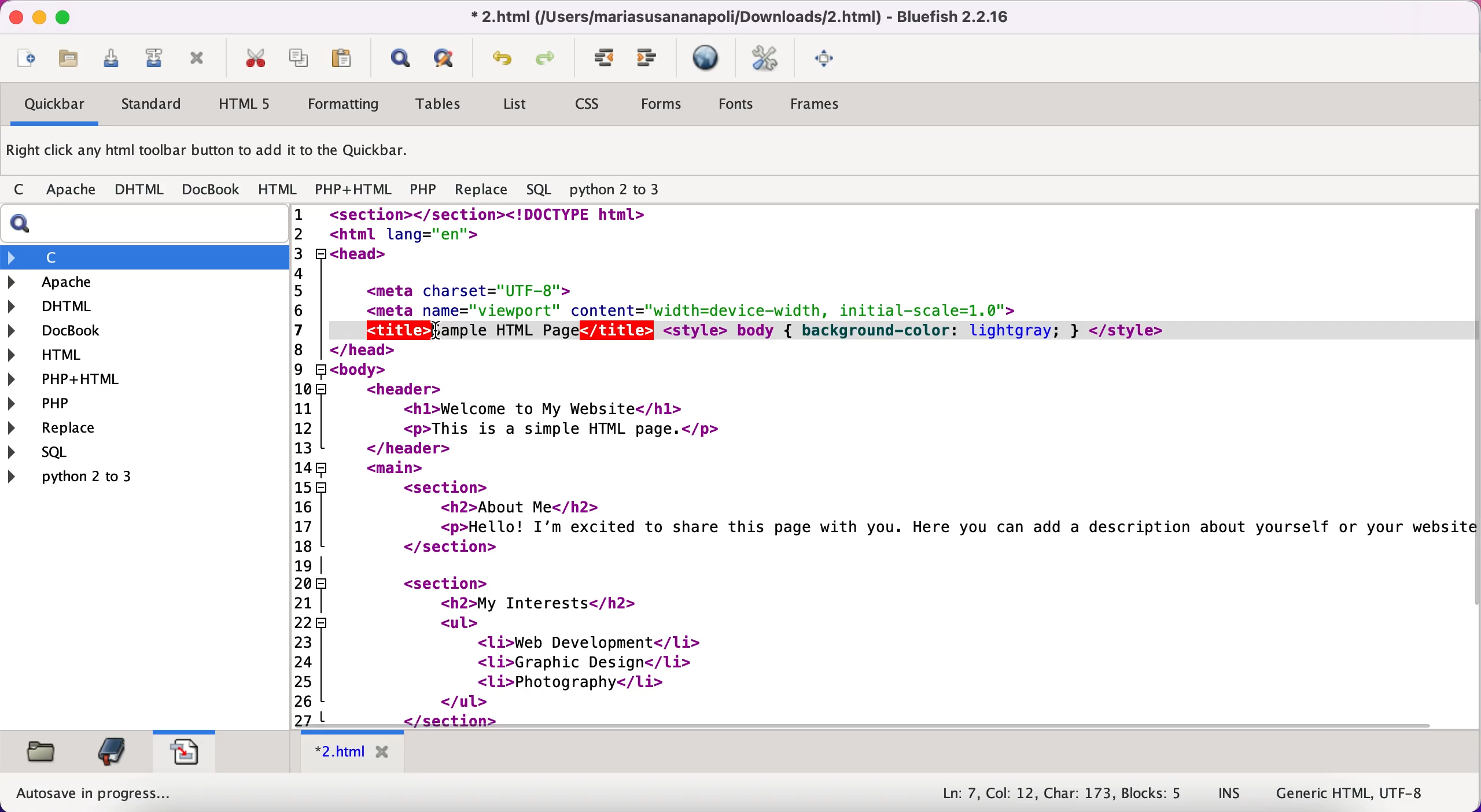 This screenshot has height=812, width=1481. I want to click on python 2 to 3, so click(84, 476).